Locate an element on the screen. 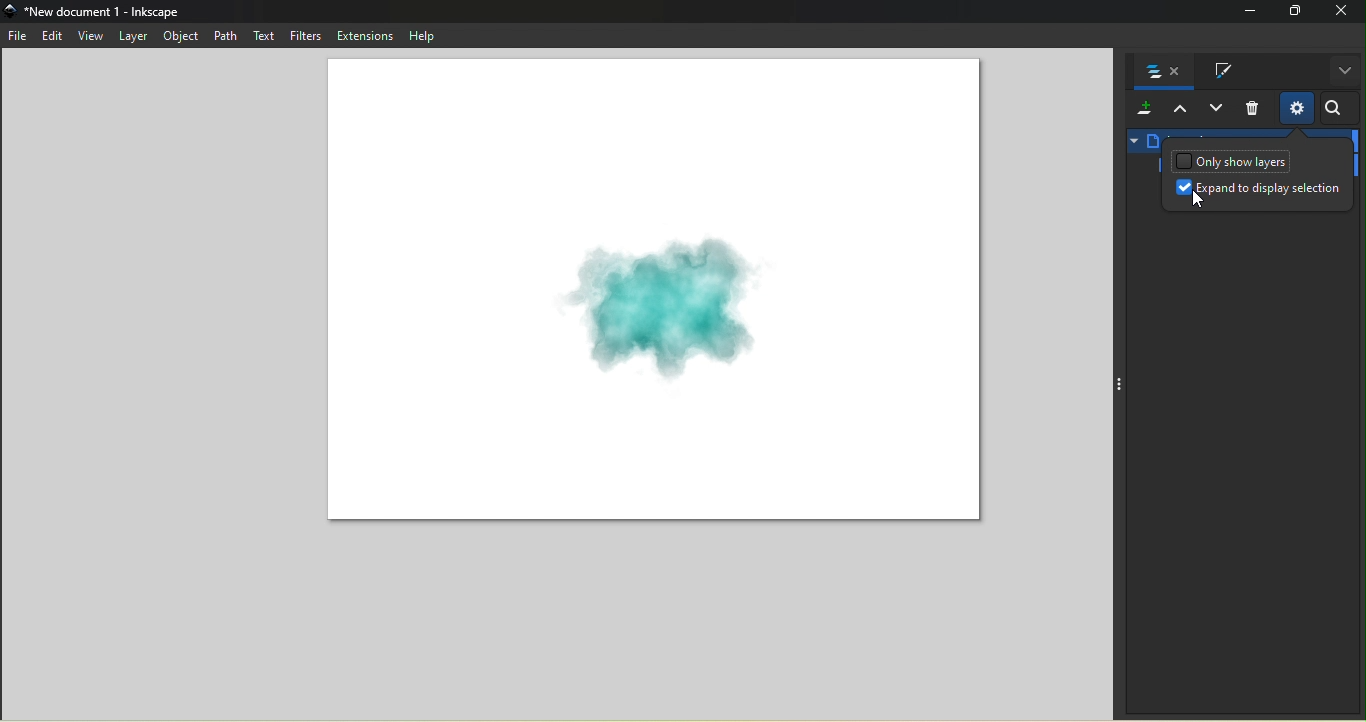  Layer and objects is located at coordinates (1160, 71).